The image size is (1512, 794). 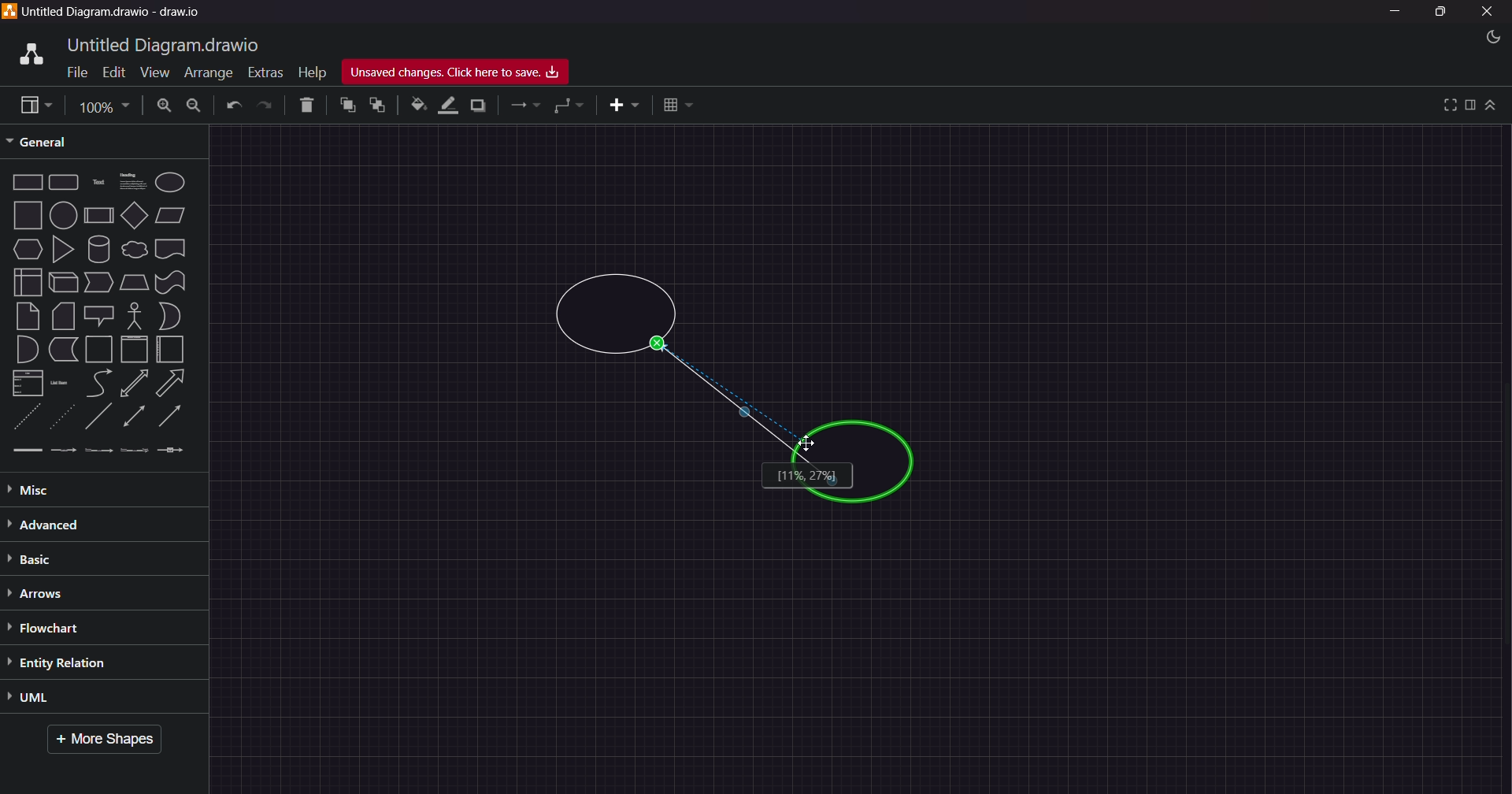 What do you see at coordinates (110, 740) in the screenshot?
I see `More Shapes` at bounding box center [110, 740].